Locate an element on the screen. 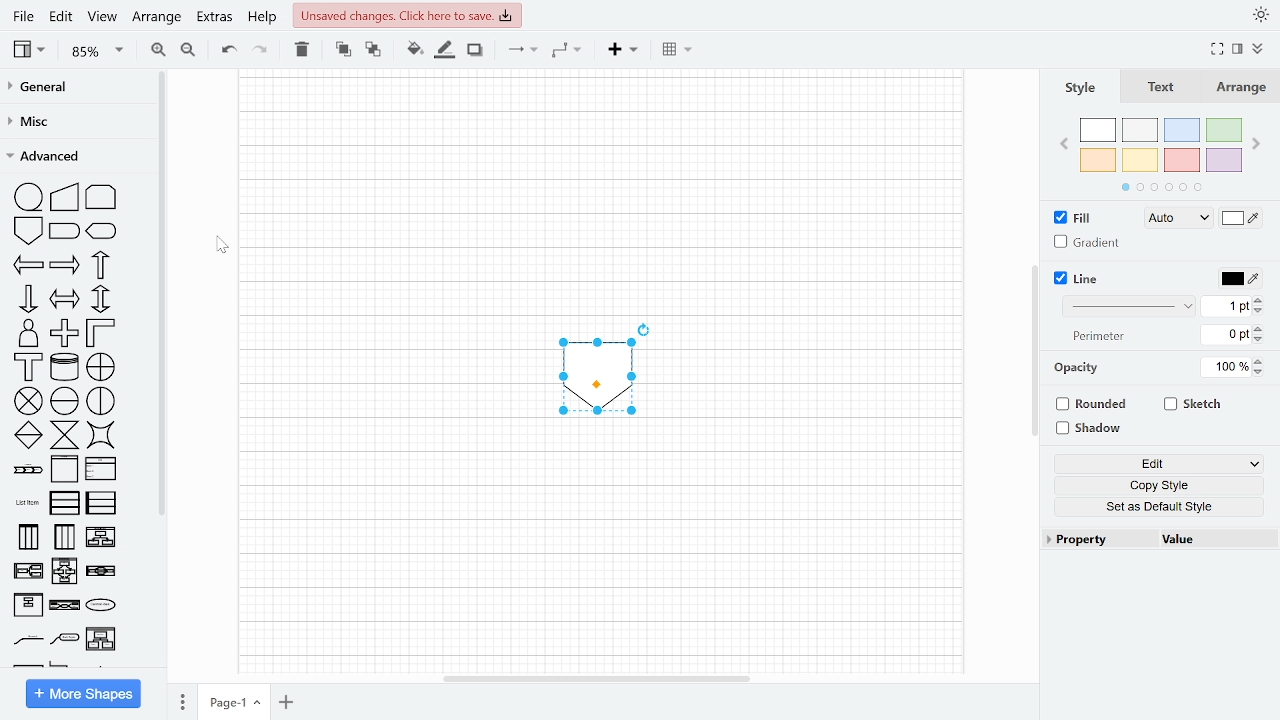 Image resolution: width=1280 pixels, height=720 pixels. Vertical scrollbar is located at coordinates (1034, 350).